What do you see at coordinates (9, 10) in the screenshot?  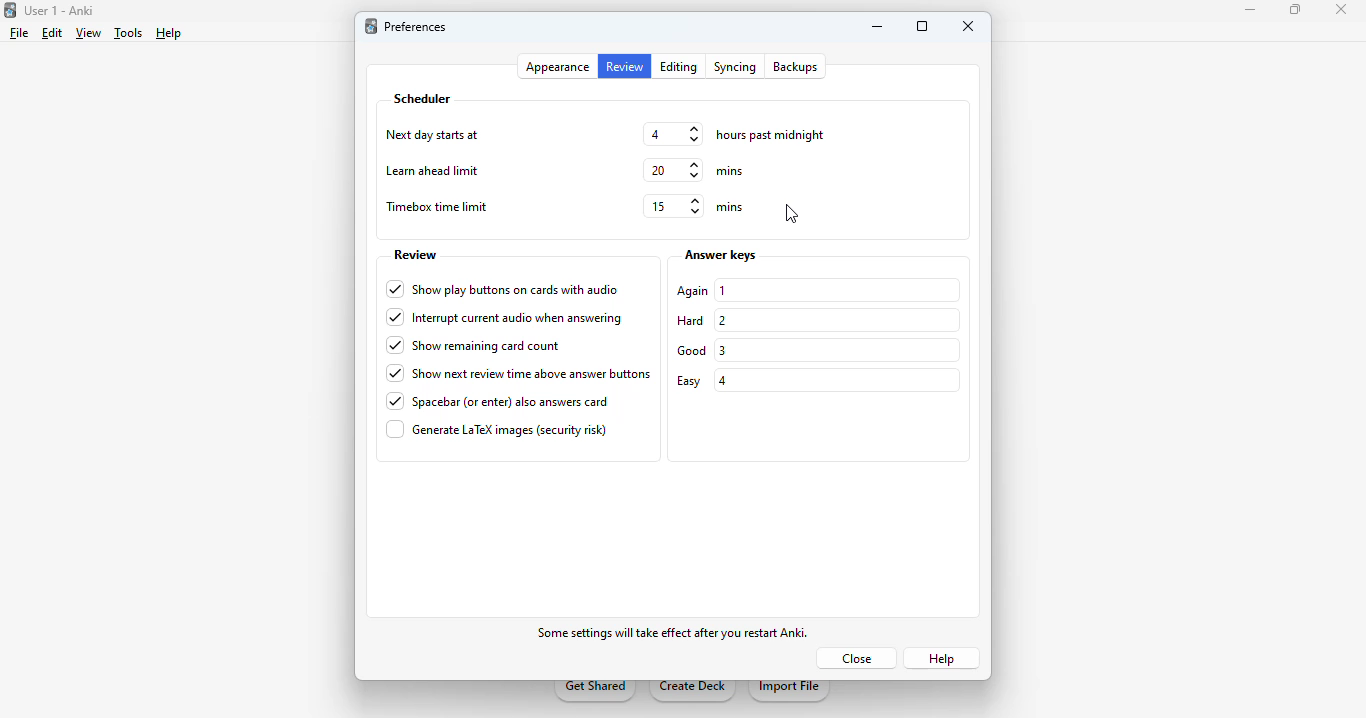 I see `logo` at bounding box center [9, 10].